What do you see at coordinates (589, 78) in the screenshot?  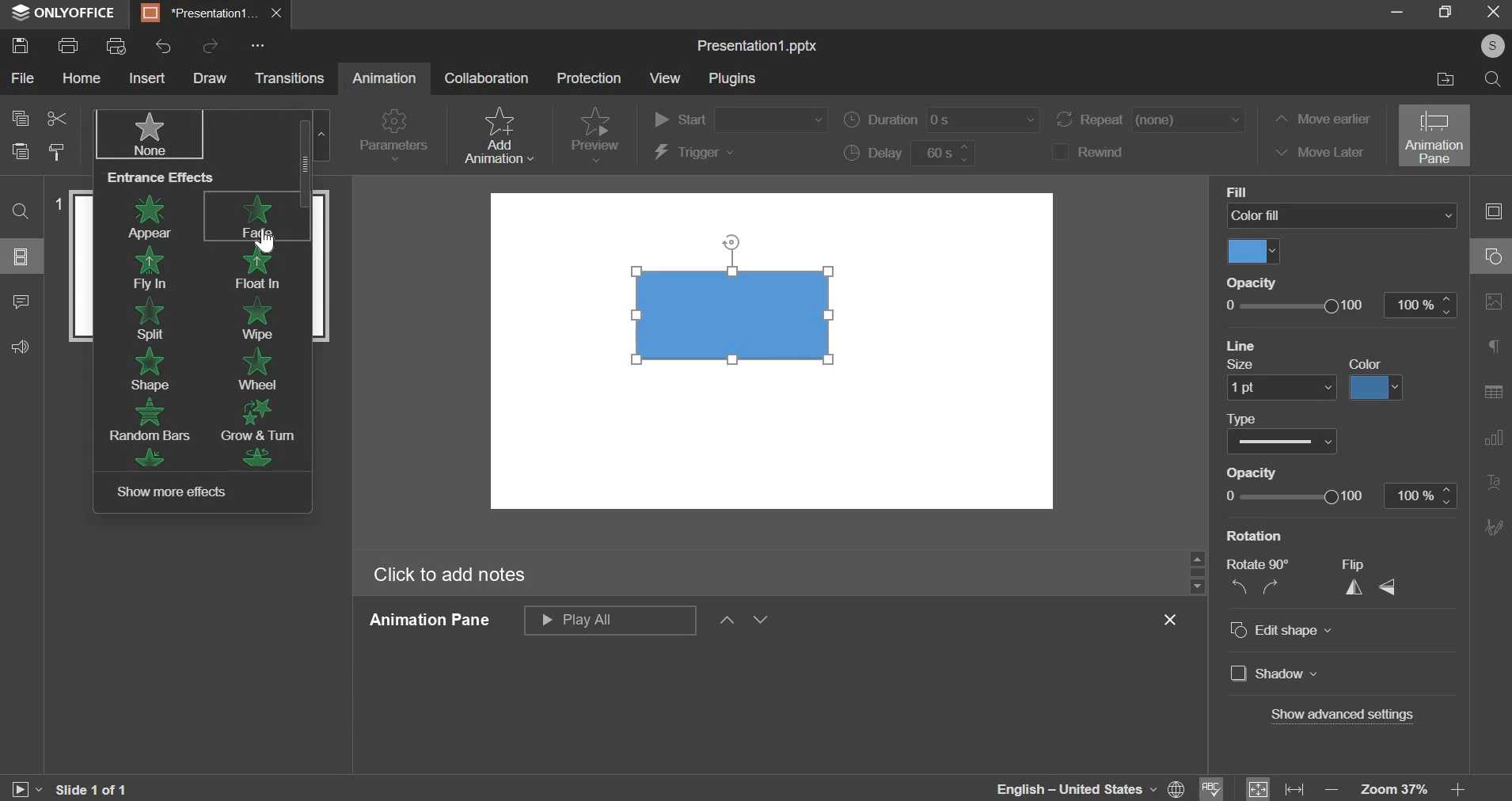 I see `protection` at bounding box center [589, 78].